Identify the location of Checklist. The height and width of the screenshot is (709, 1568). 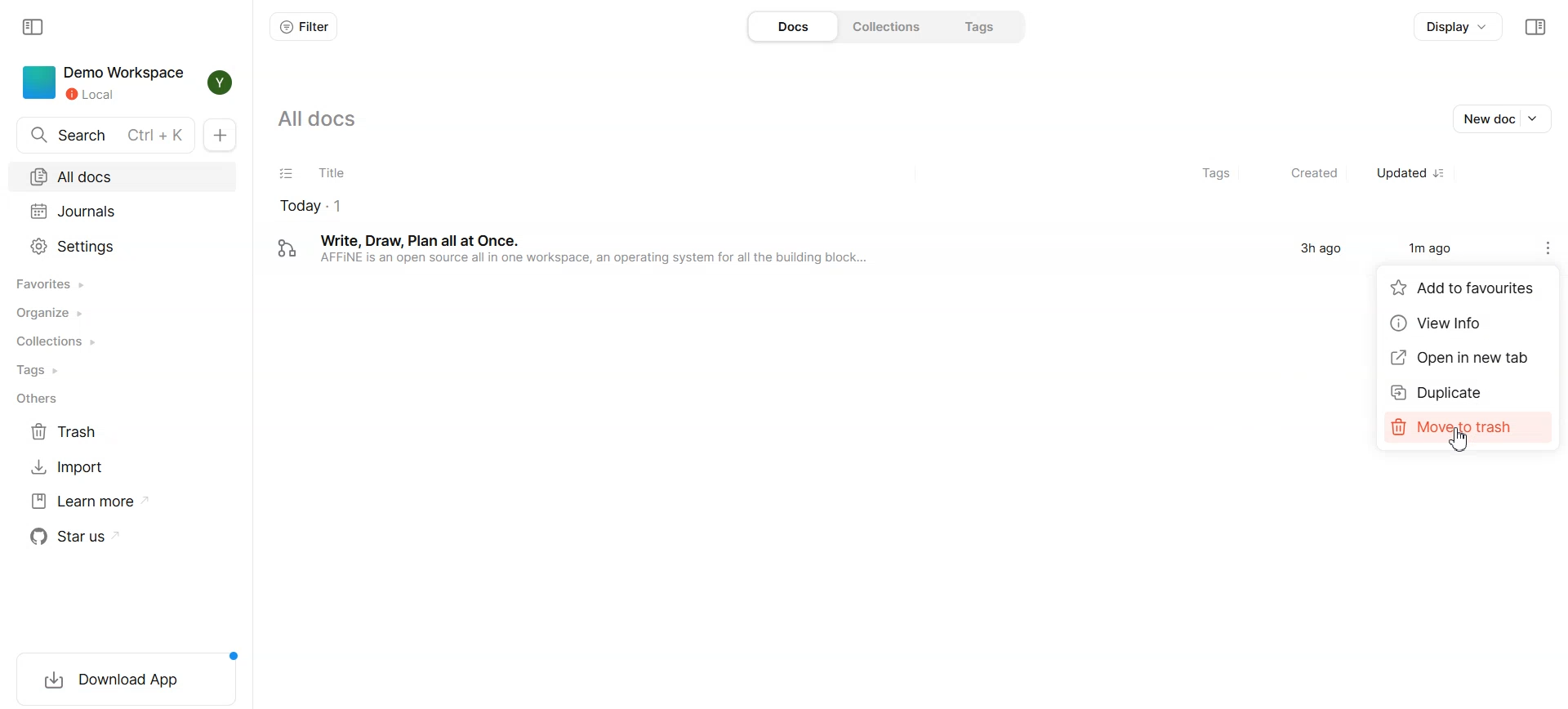
(285, 174).